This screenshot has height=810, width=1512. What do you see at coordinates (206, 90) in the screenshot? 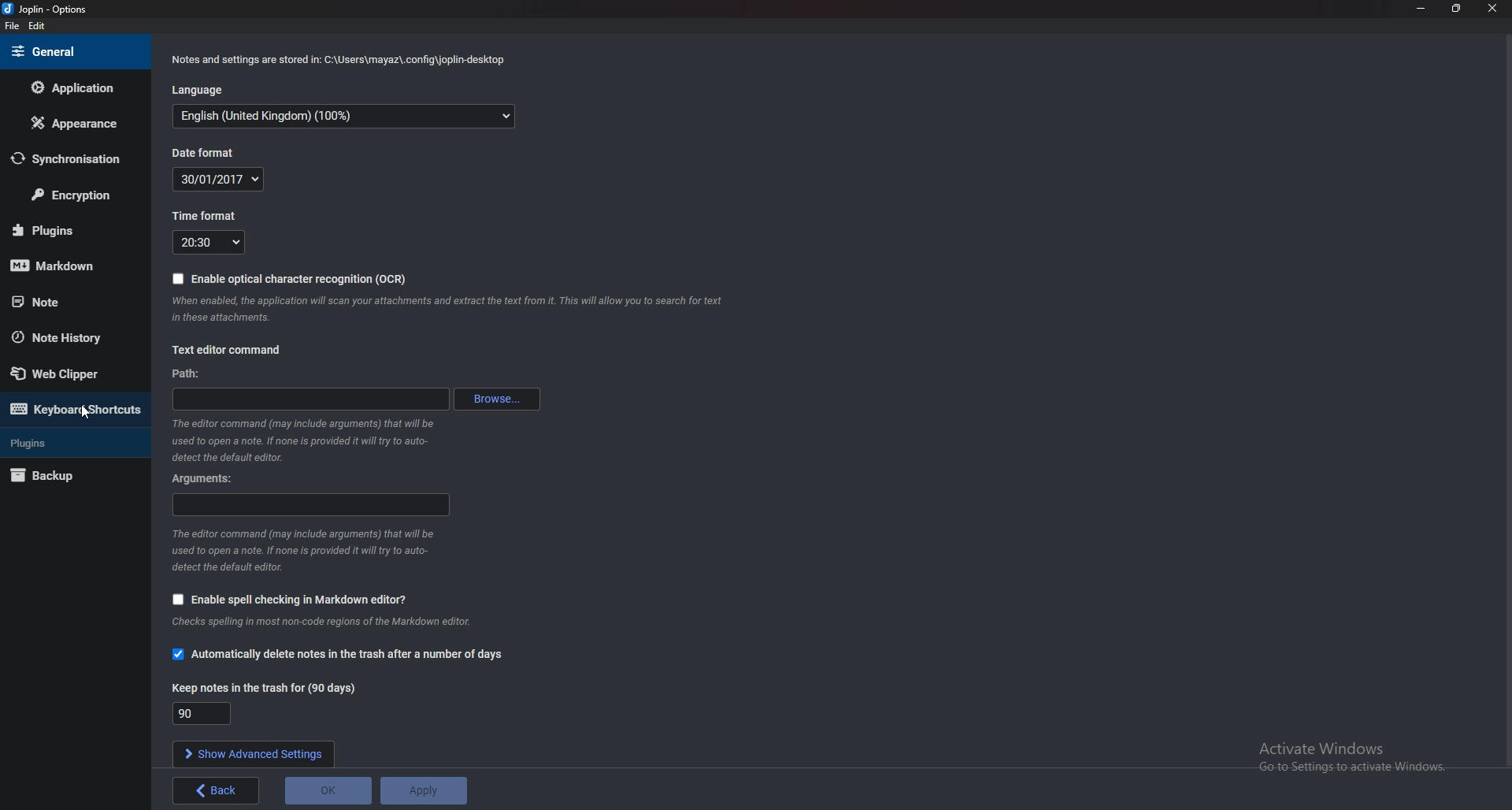
I see `Language` at bounding box center [206, 90].